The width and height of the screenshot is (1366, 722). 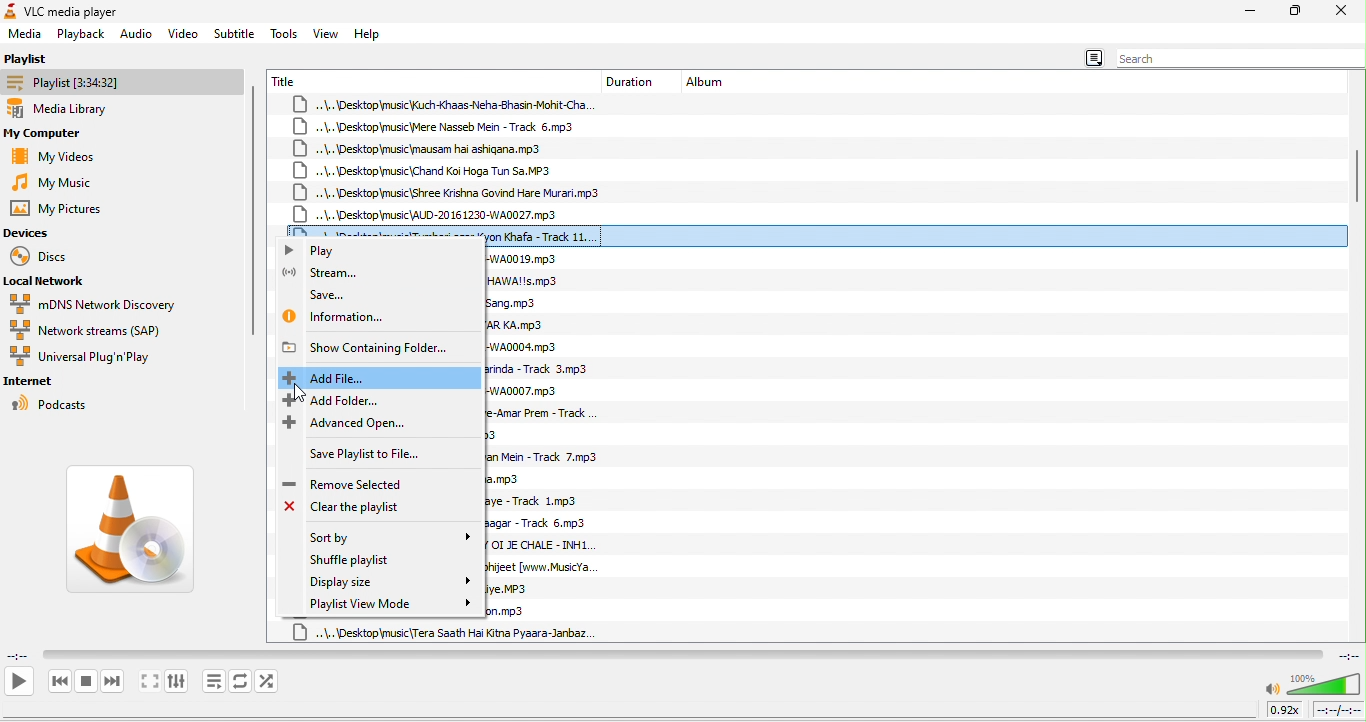 I want to click on ..\..\Desktop\music\Chand Koi Hoga Tun Sa.MP3, so click(x=423, y=170).